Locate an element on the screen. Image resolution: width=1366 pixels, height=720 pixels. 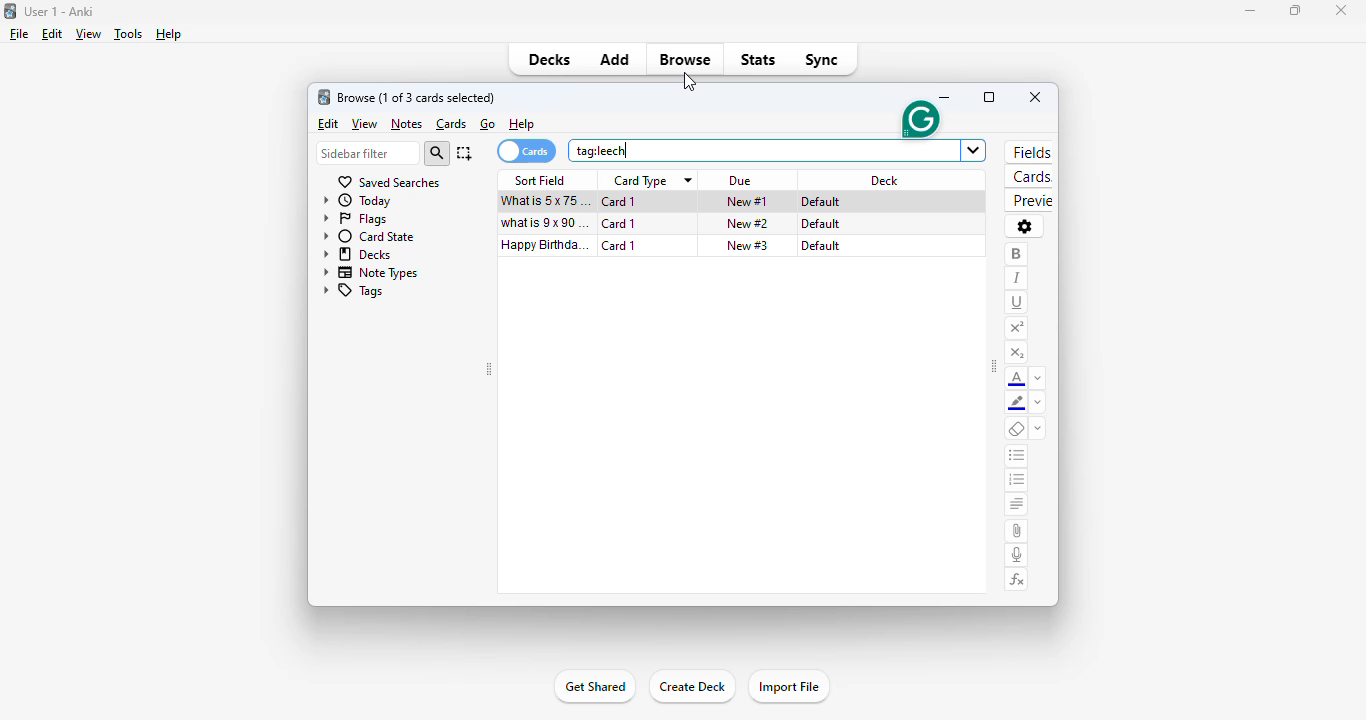
edit is located at coordinates (52, 34).